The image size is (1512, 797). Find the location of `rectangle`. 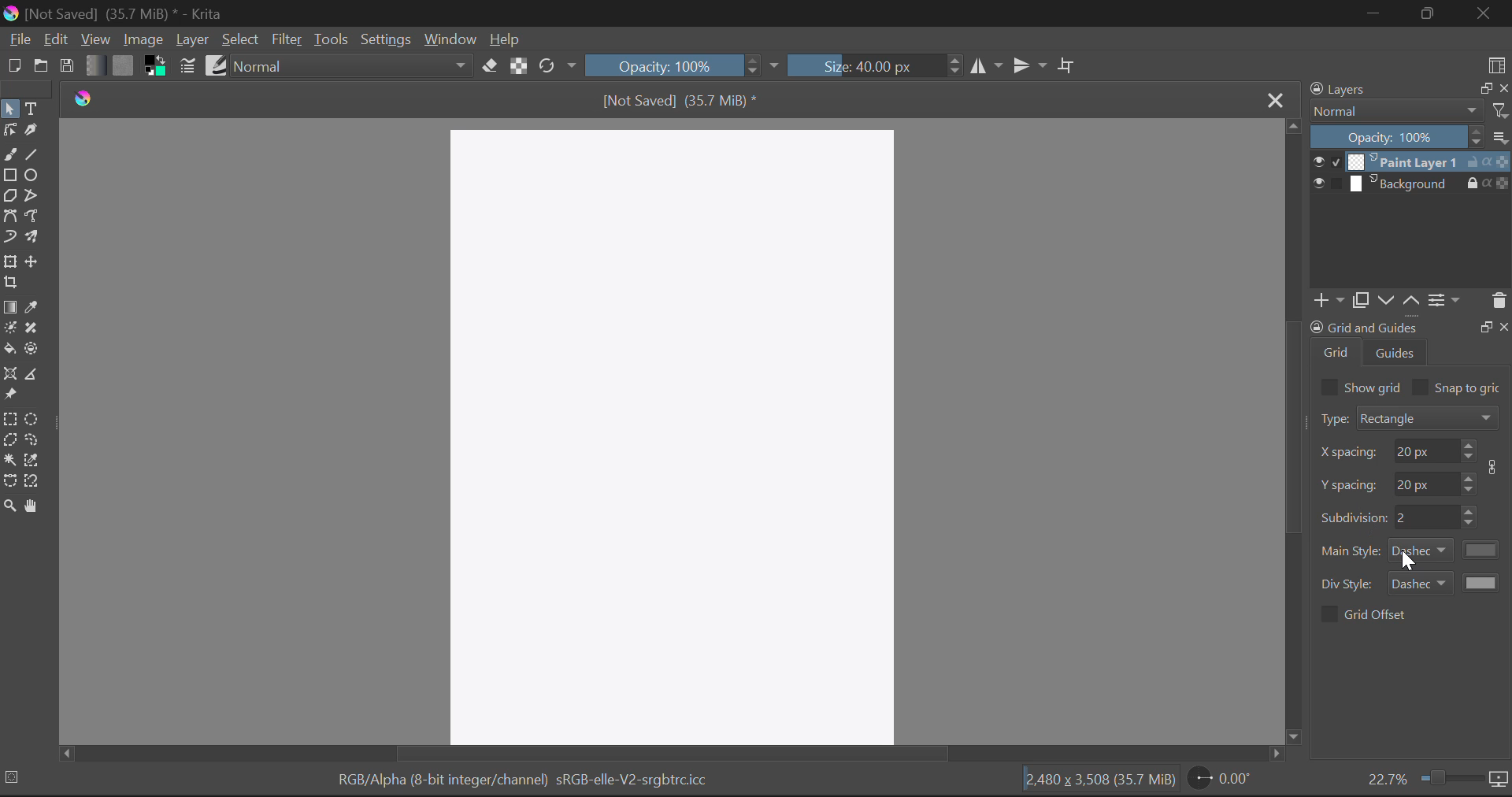

rectangle is located at coordinates (1429, 417).